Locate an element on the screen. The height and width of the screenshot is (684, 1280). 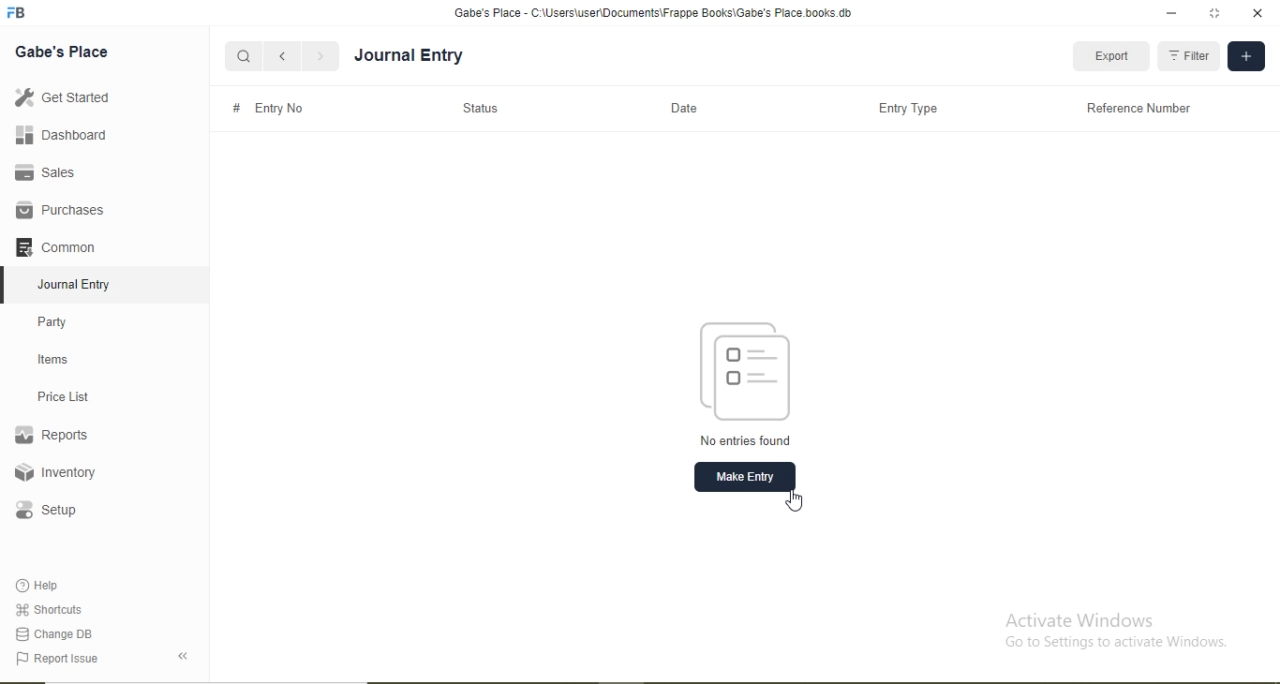
Make Entry is located at coordinates (745, 477).